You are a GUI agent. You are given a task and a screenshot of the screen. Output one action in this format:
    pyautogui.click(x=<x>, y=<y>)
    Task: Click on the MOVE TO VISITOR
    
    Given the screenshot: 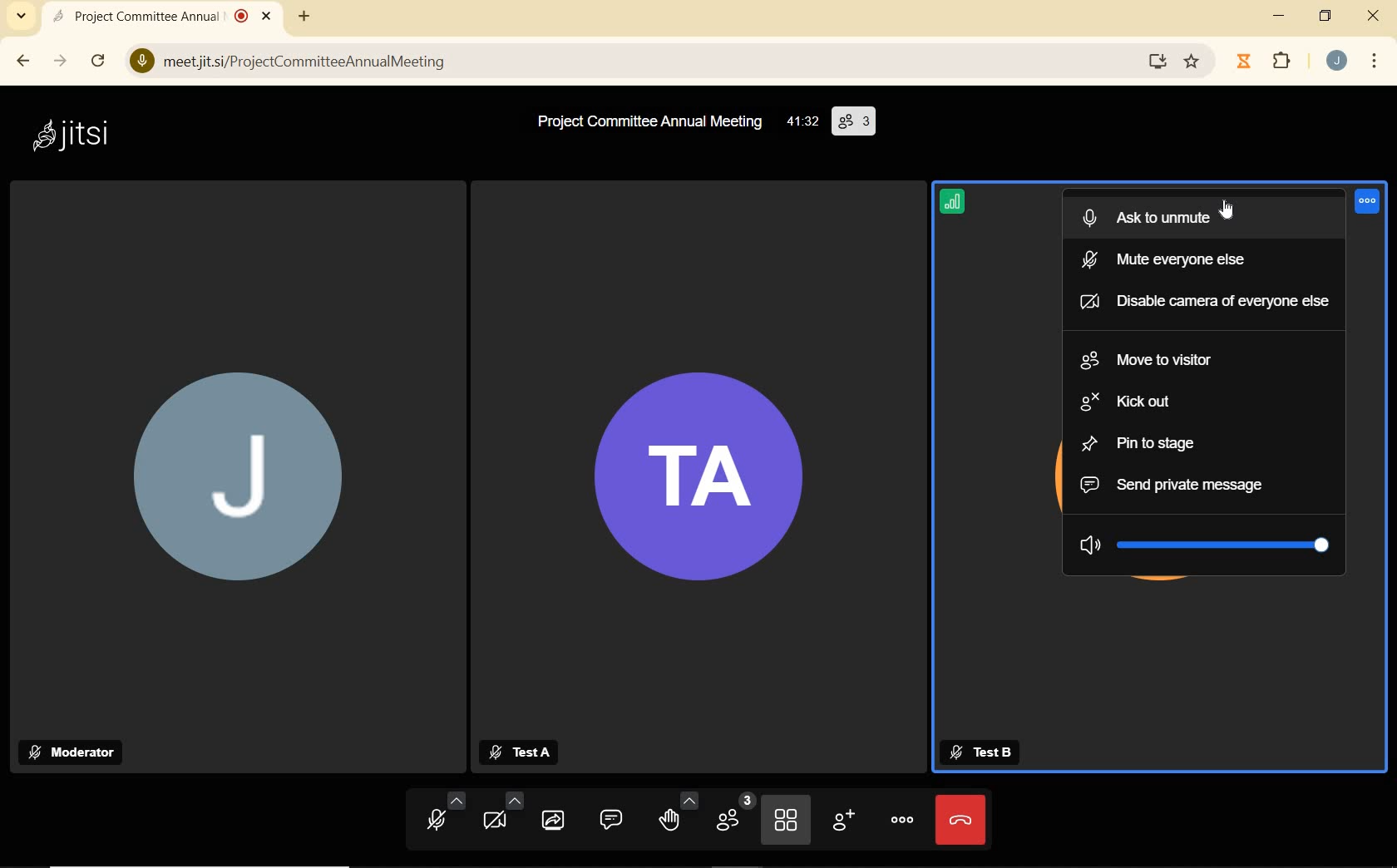 What is the action you would take?
    pyautogui.click(x=1211, y=361)
    